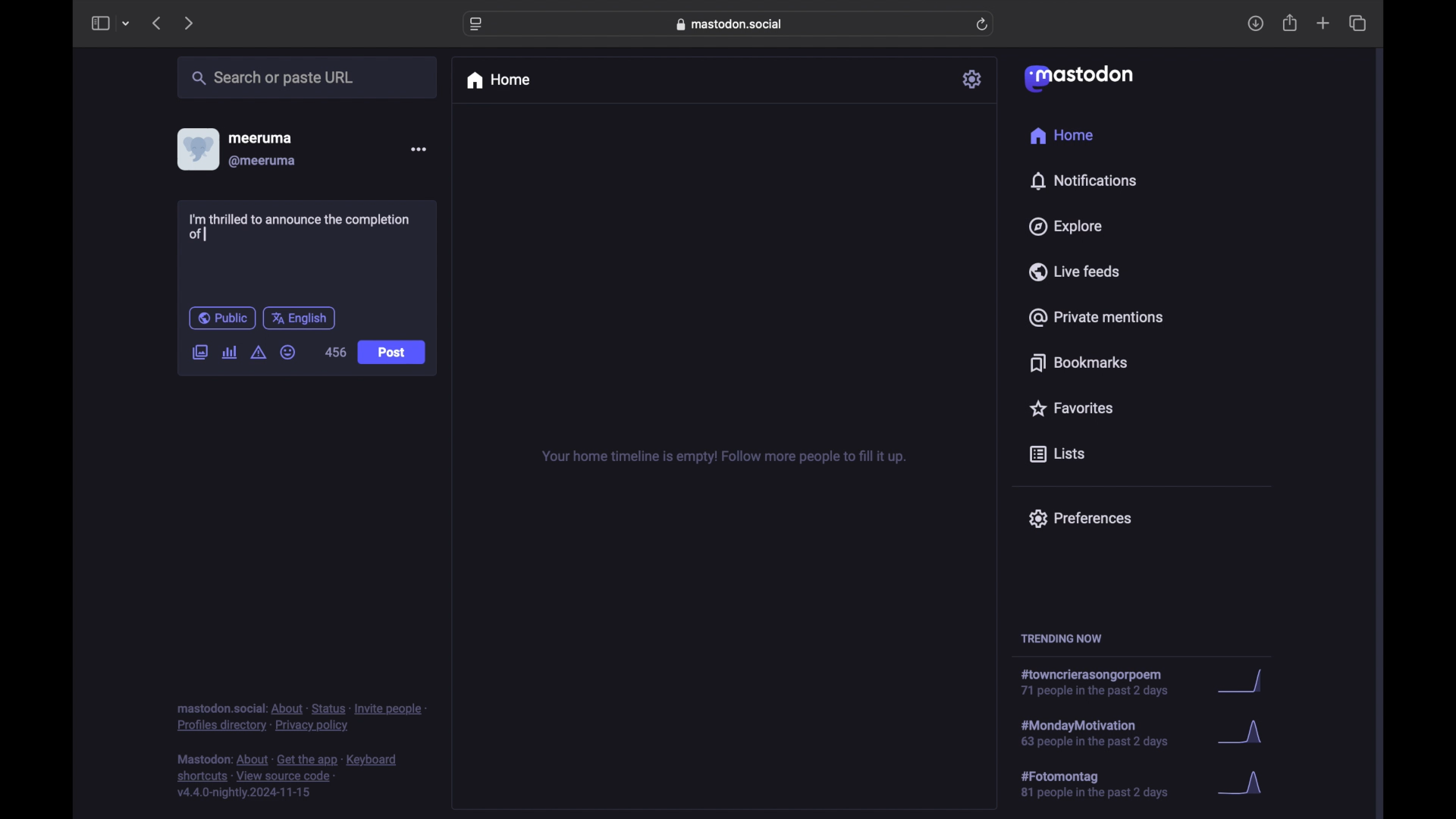  What do you see at coordinates (1073, 271) in the screenshot?
I see `live feeds` at bounding box center [1073, 271].